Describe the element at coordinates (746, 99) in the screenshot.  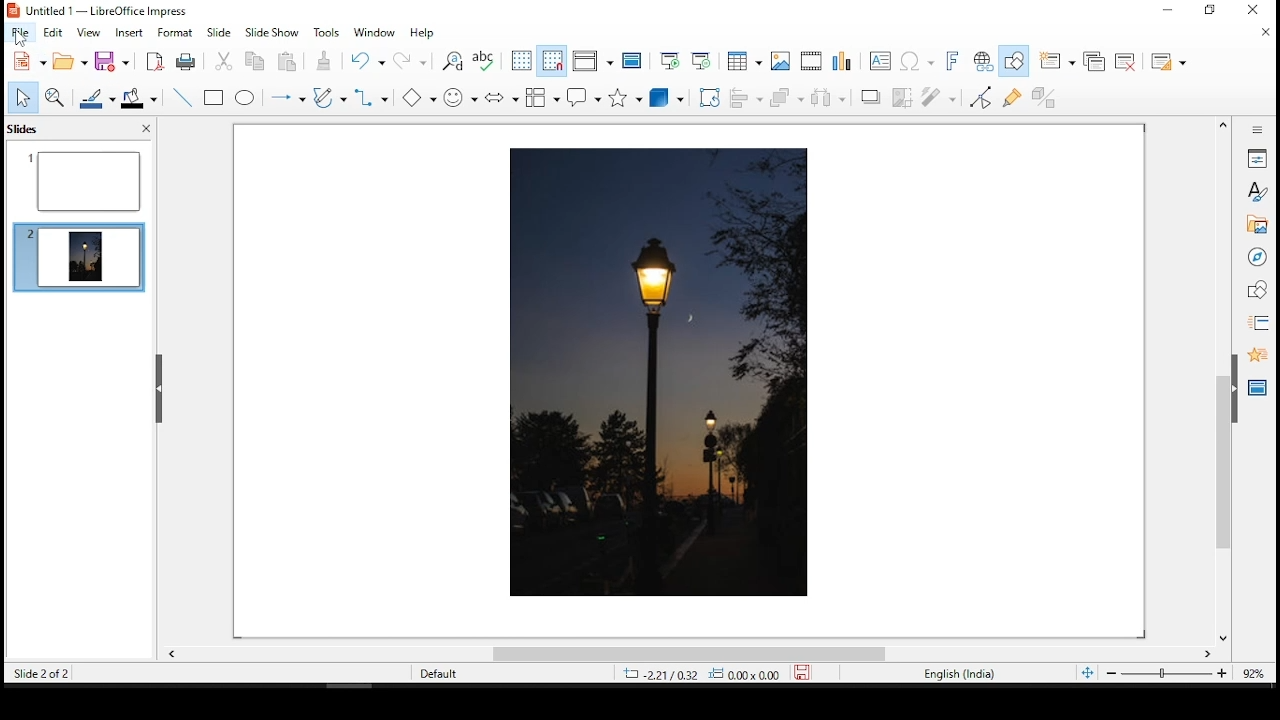
I see `align objects` at that location.